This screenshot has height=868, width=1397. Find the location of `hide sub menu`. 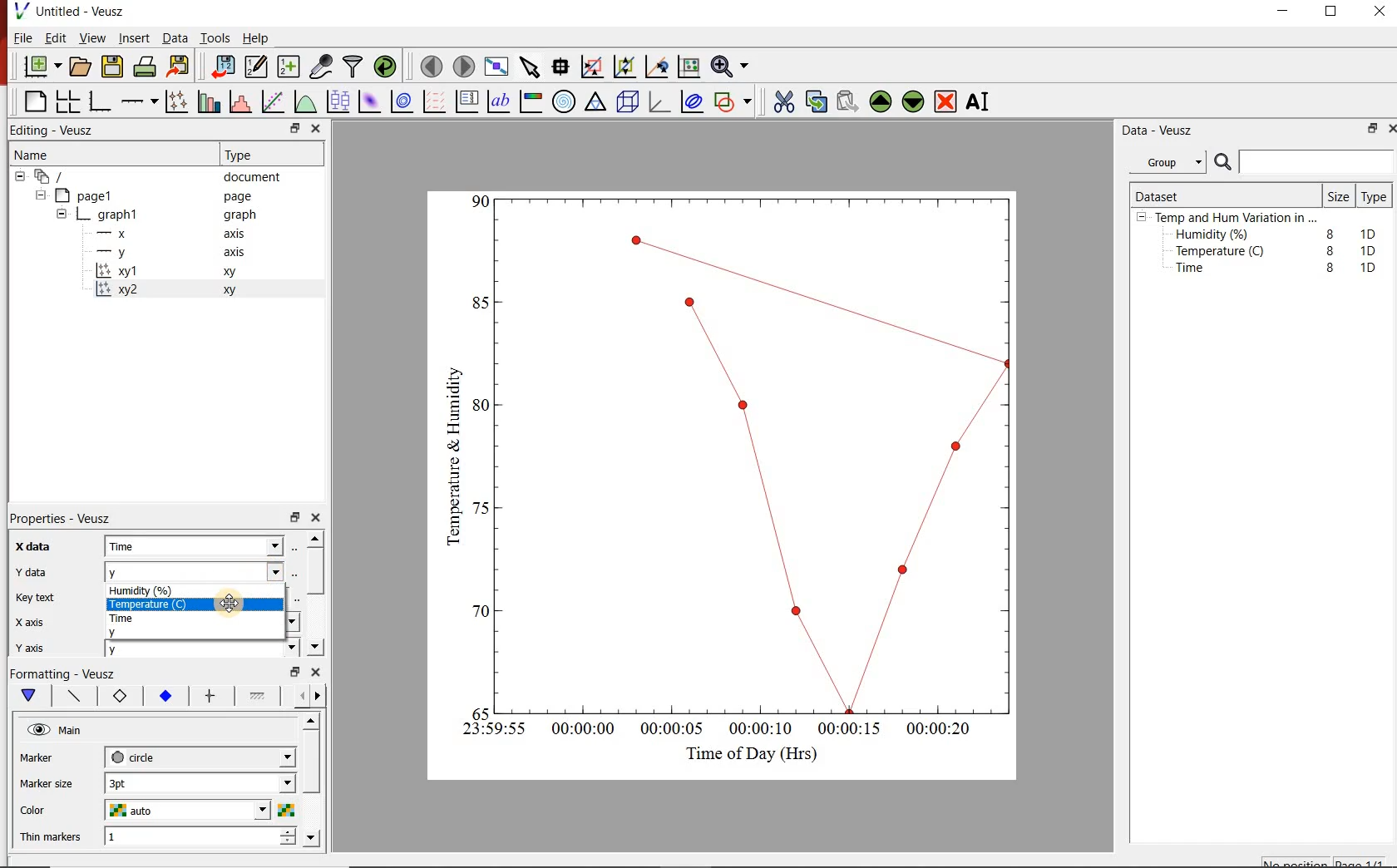

hide sub menu is located at coordinates (43, 197).